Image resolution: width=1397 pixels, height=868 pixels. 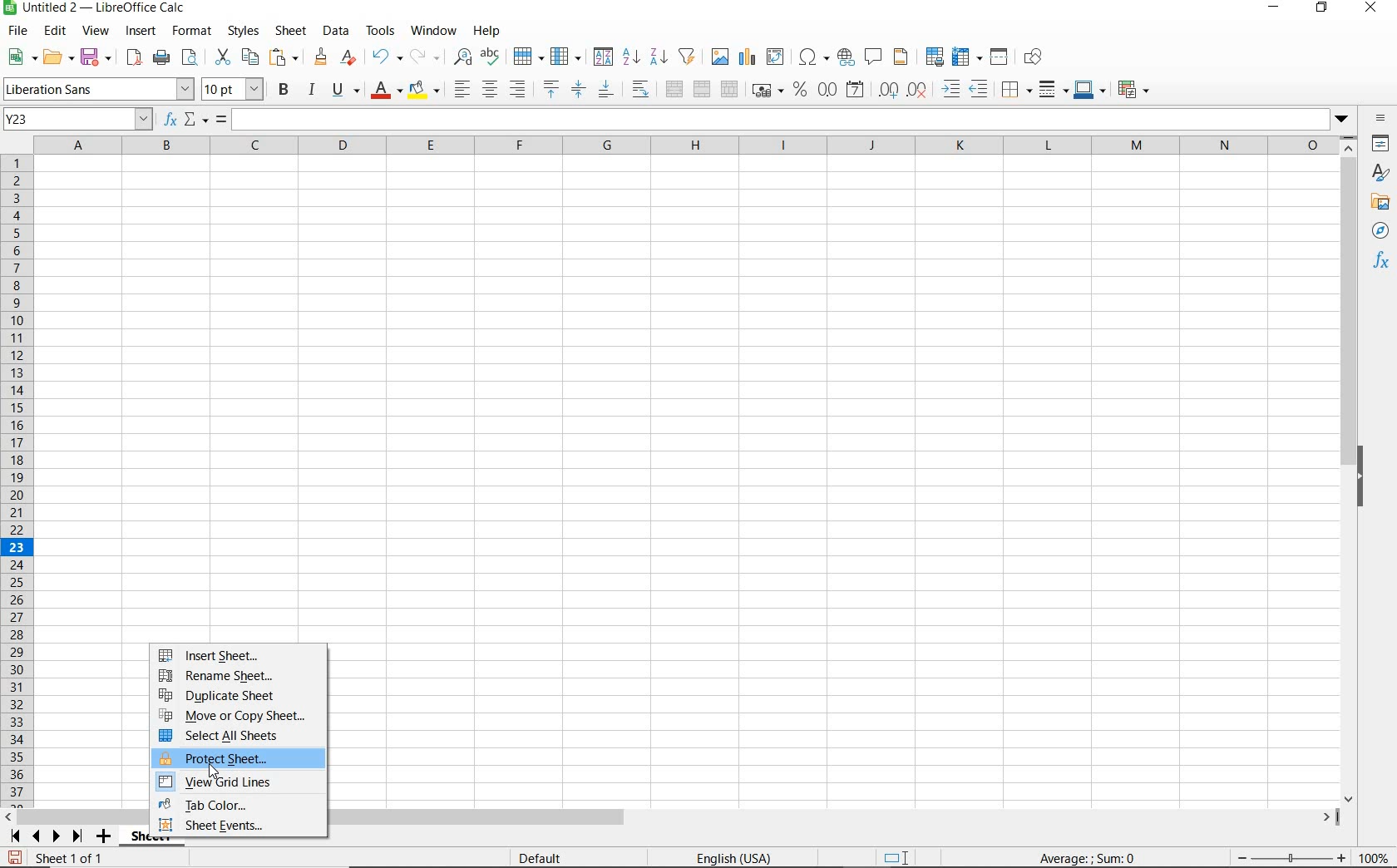 What do you see at coordinates (433, 31) in the screenshot?
I see `WINDOW` at bounding box center [433, 31].